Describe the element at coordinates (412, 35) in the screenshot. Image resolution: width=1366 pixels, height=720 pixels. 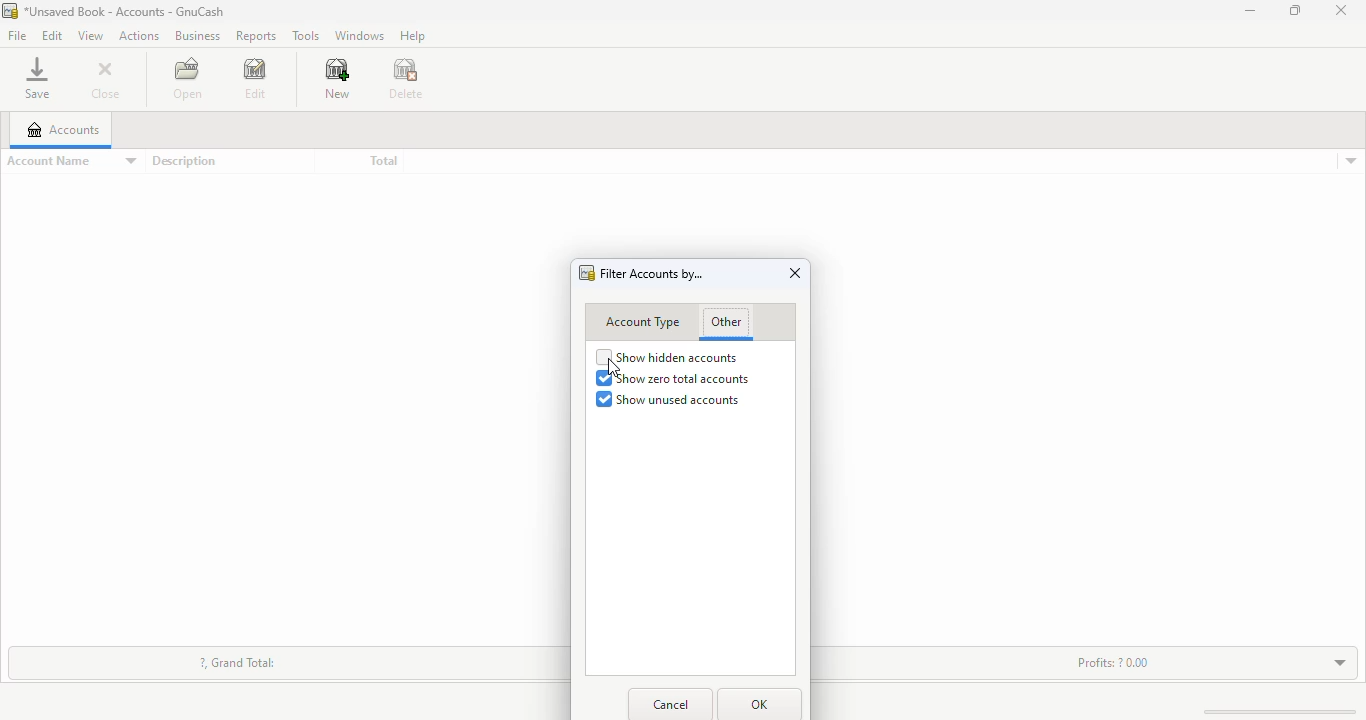
I see `help` at that location.